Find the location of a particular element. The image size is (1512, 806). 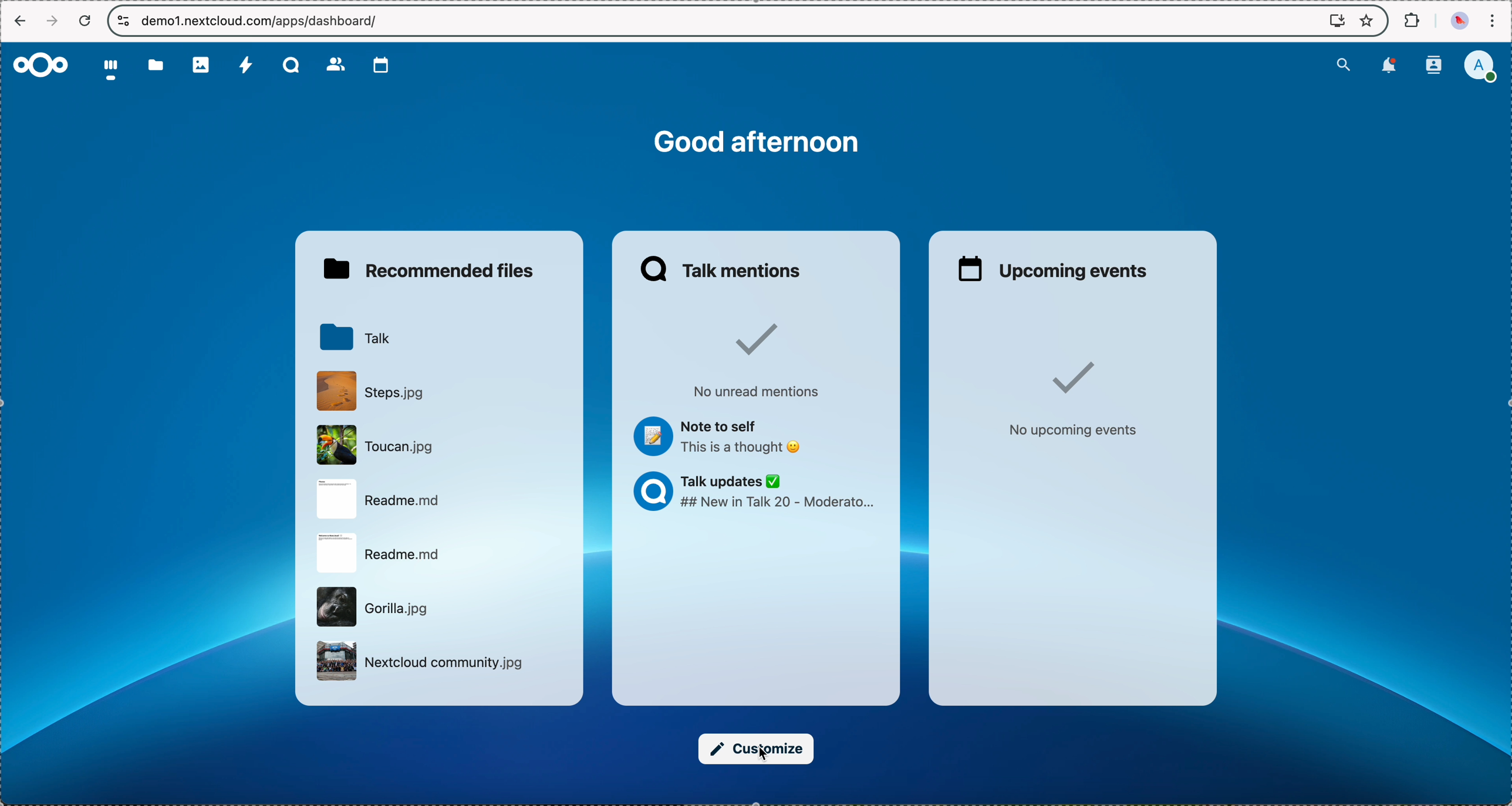

contacts is located at coordinates (335, 65).